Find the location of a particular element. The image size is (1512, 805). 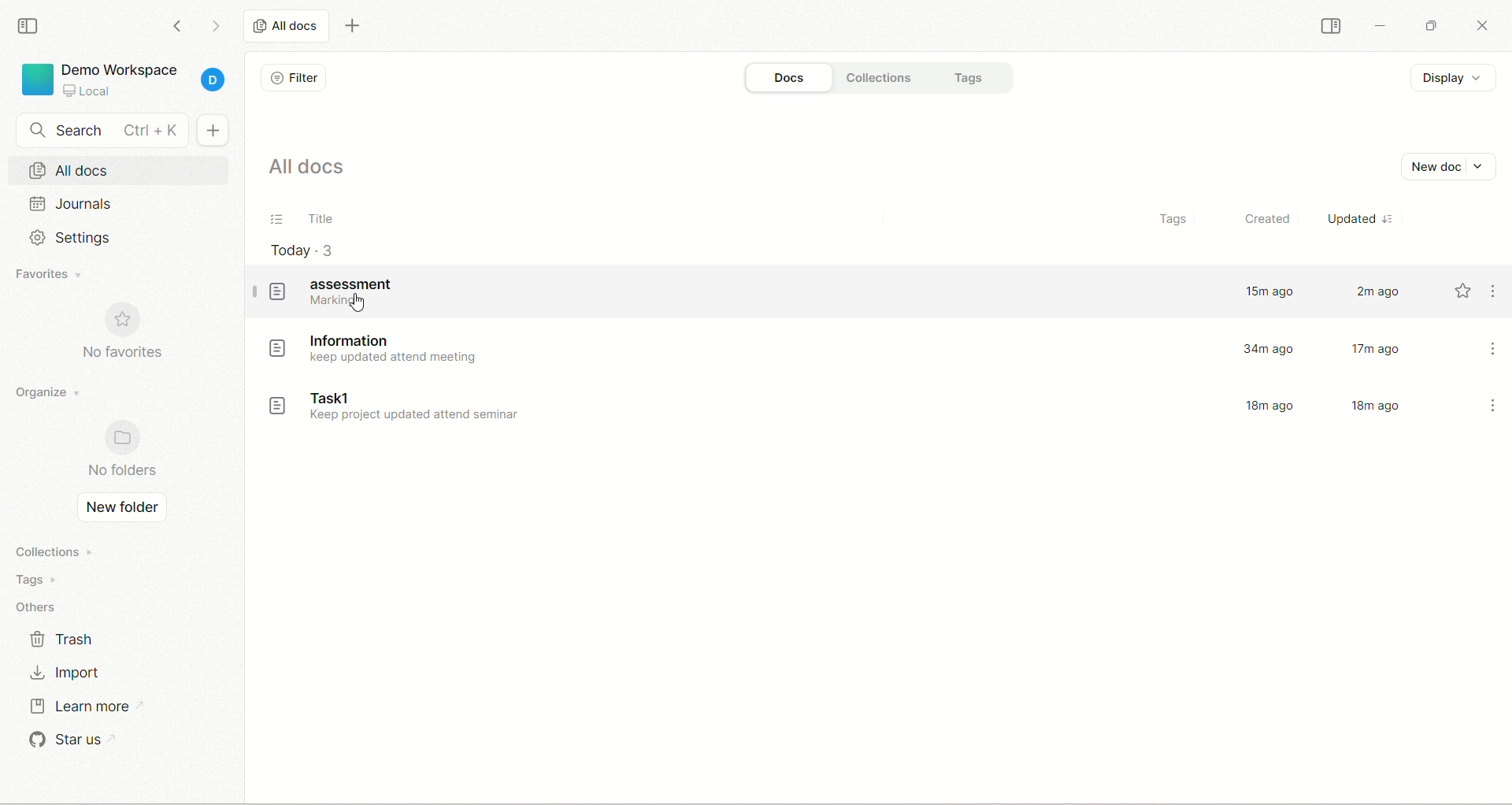

tags is located at coordinates (981, 78).